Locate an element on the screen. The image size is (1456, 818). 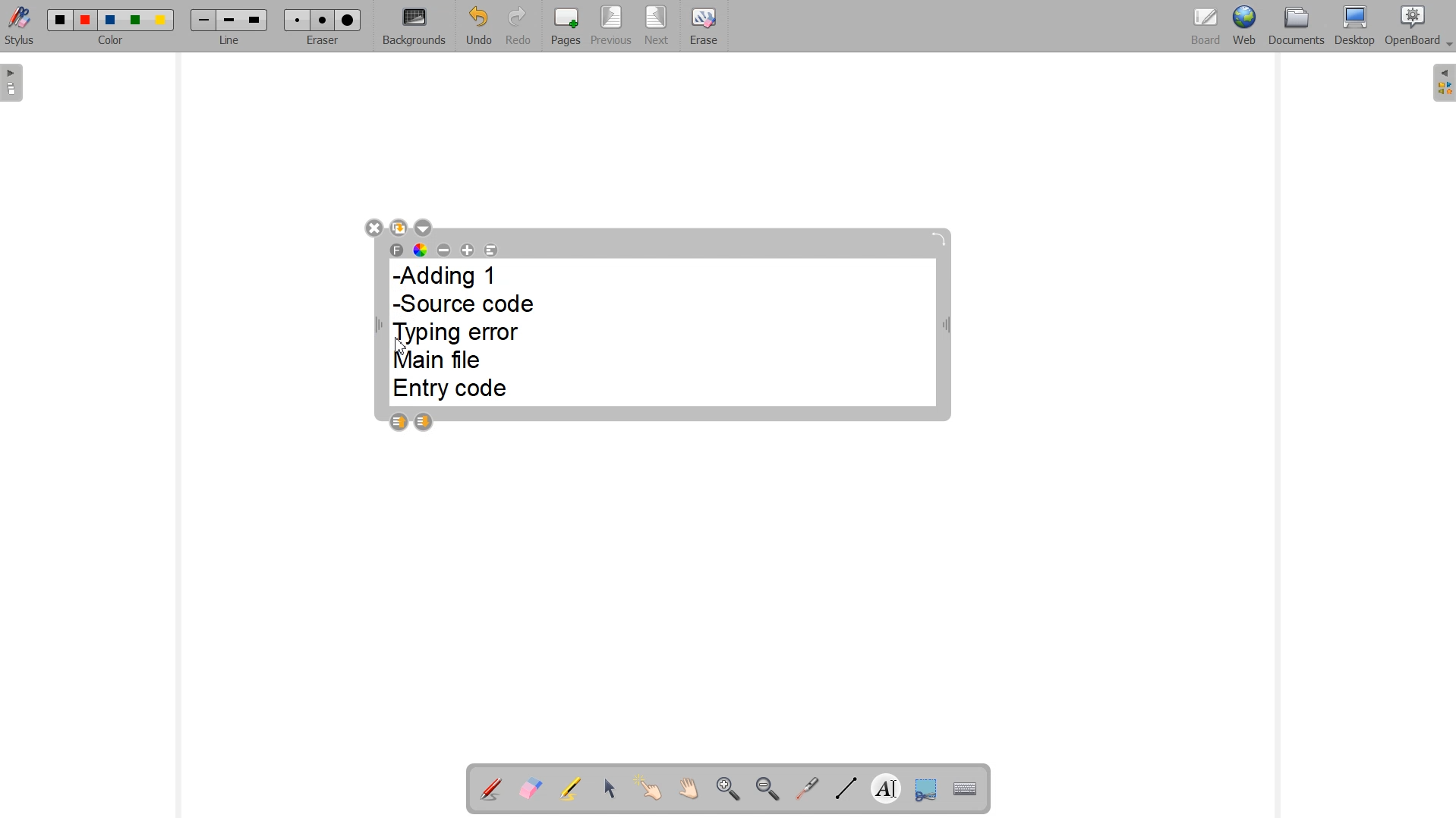
Rotate block is located at coordinates (938, 240).